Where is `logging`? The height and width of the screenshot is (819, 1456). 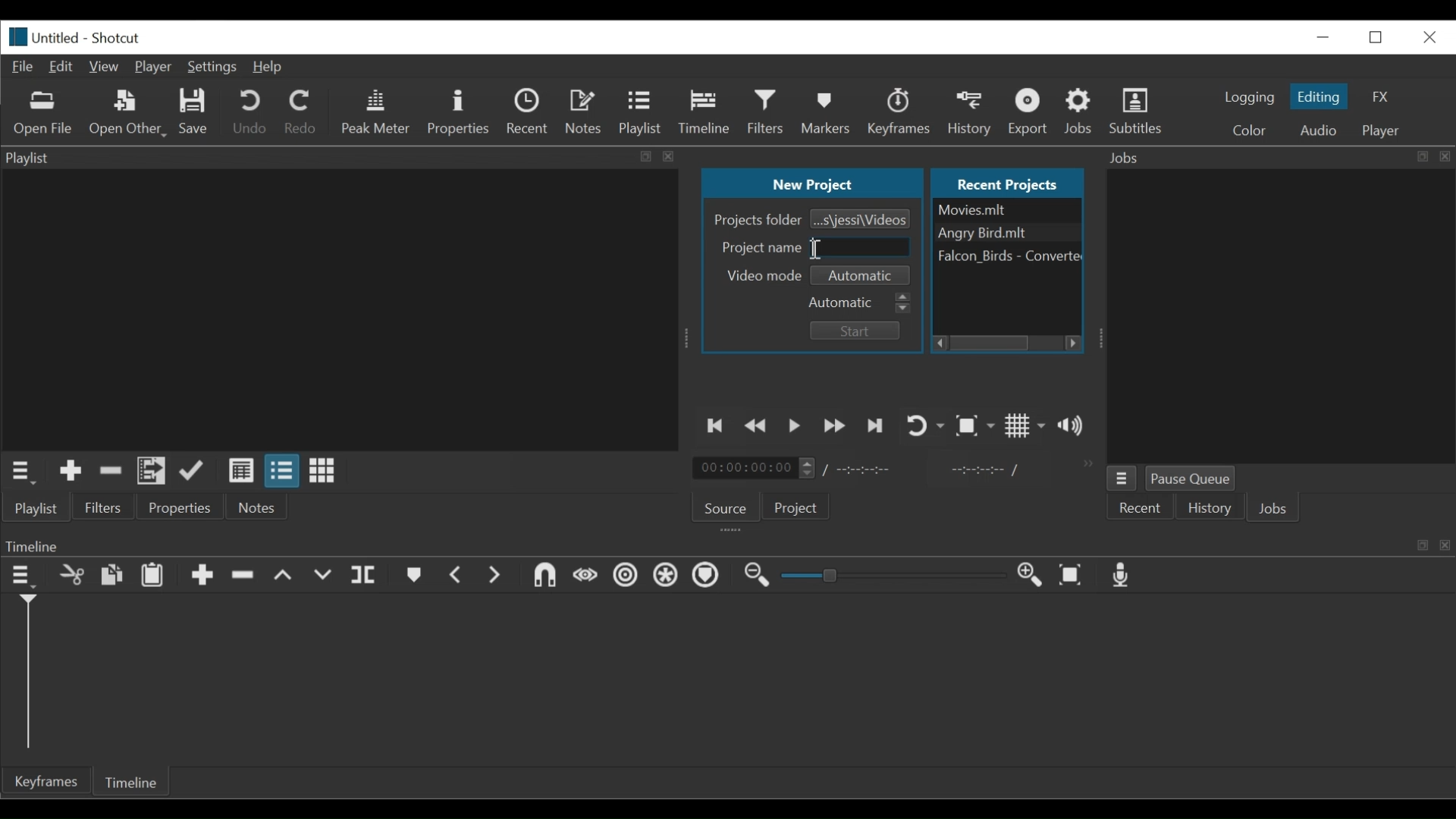 logging is located at coordinates (1253, 99).